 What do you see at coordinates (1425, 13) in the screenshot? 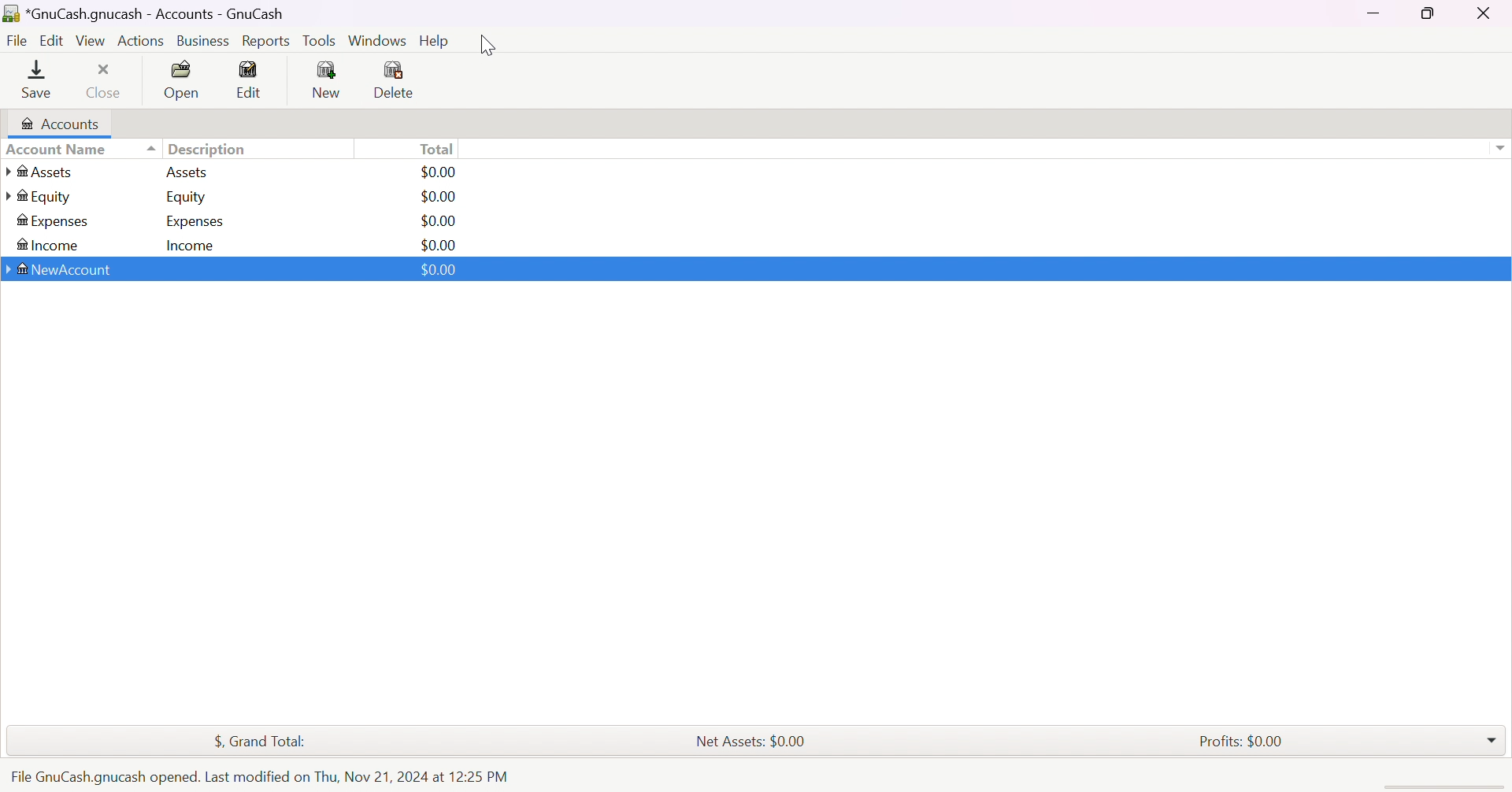
I see `Restore Down` at bounding box center [1425, 13].